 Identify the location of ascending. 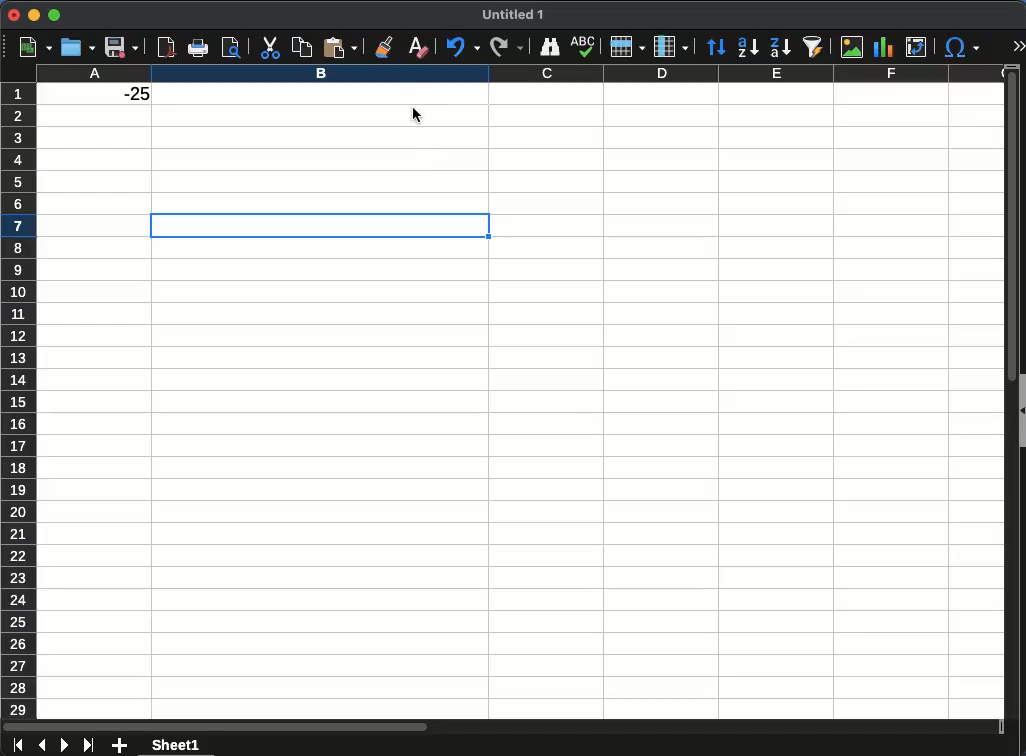
(748, 48).